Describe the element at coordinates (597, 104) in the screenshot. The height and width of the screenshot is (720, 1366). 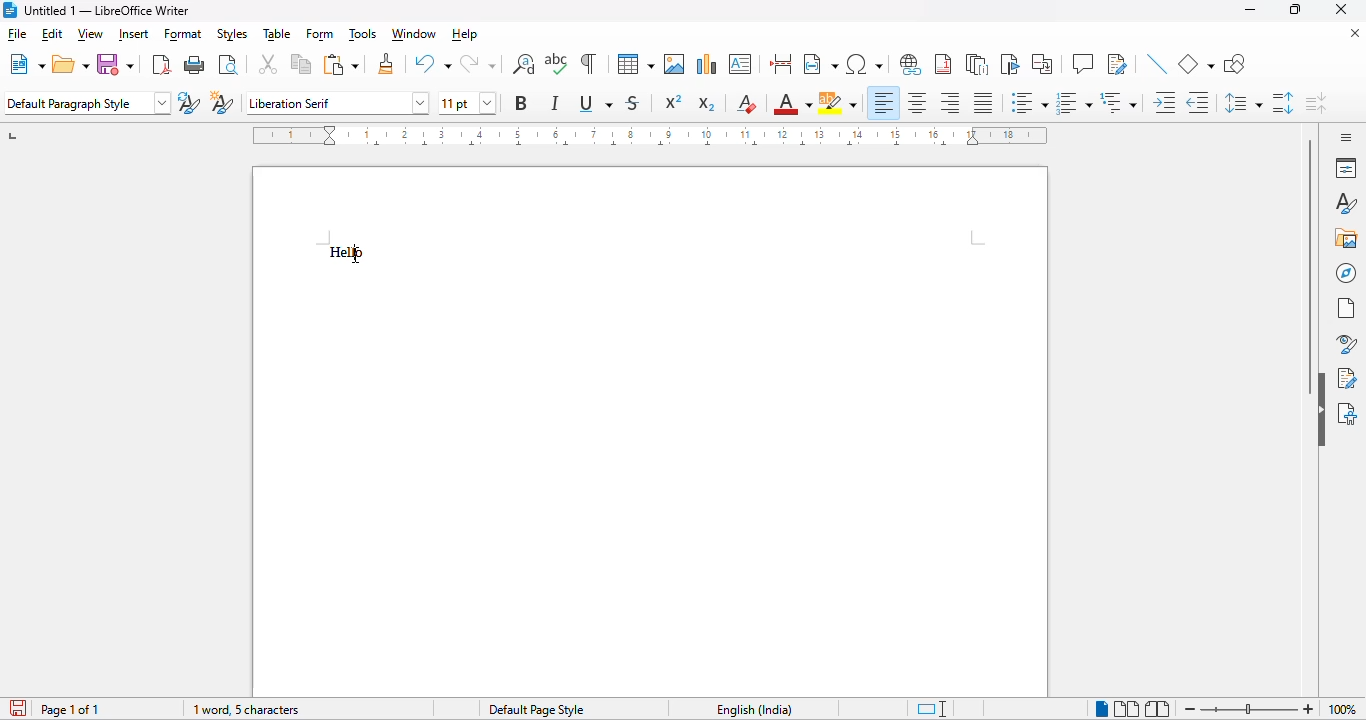
I see `underline` at that location.